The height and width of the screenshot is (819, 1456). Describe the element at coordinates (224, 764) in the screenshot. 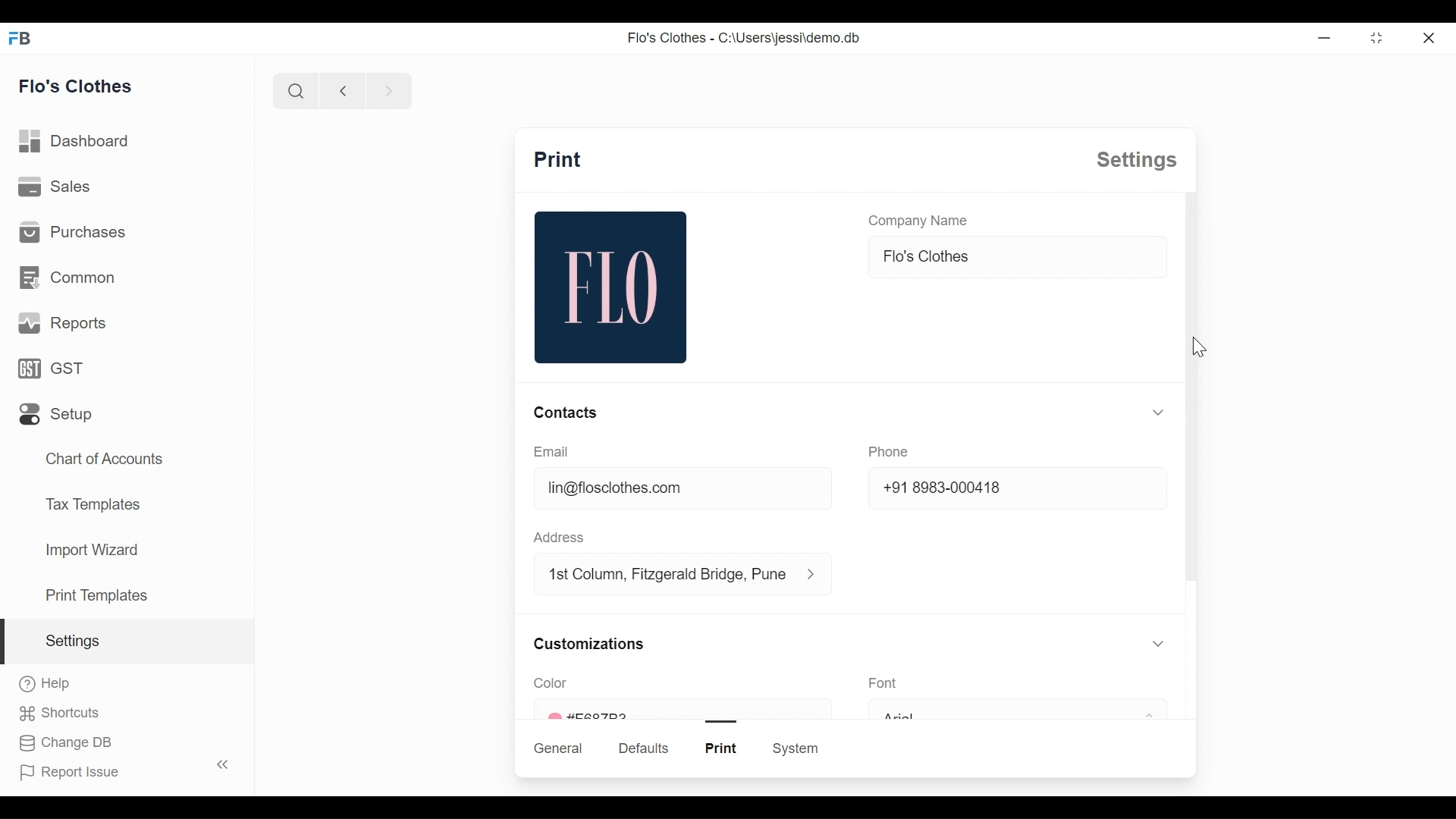

I see `toggle sidebar` at that location.